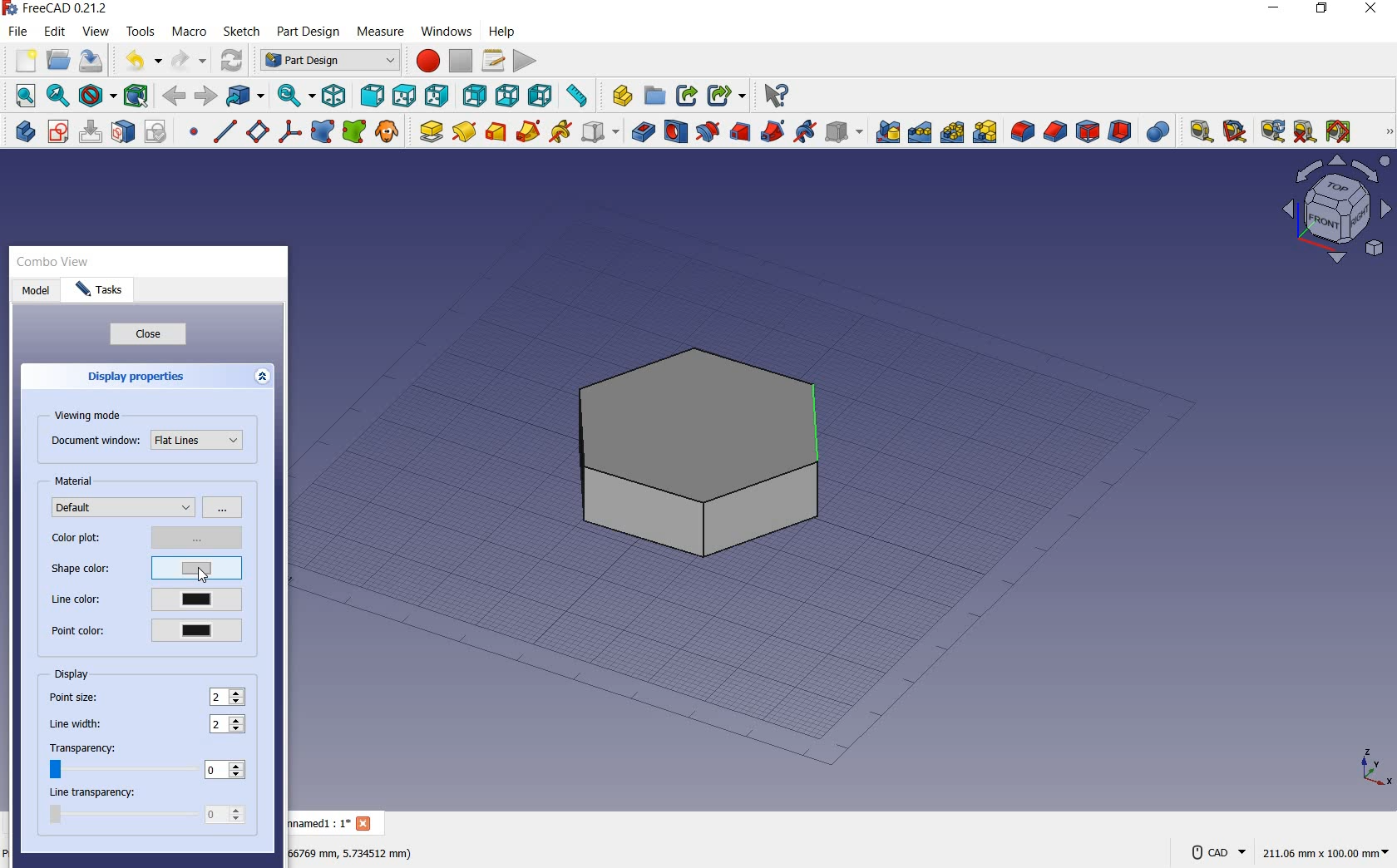  Describe the element at coordinates (1325, 855) in the screenshot. I see `211.05 mm x 100.00 mm(dimension)` at that location.